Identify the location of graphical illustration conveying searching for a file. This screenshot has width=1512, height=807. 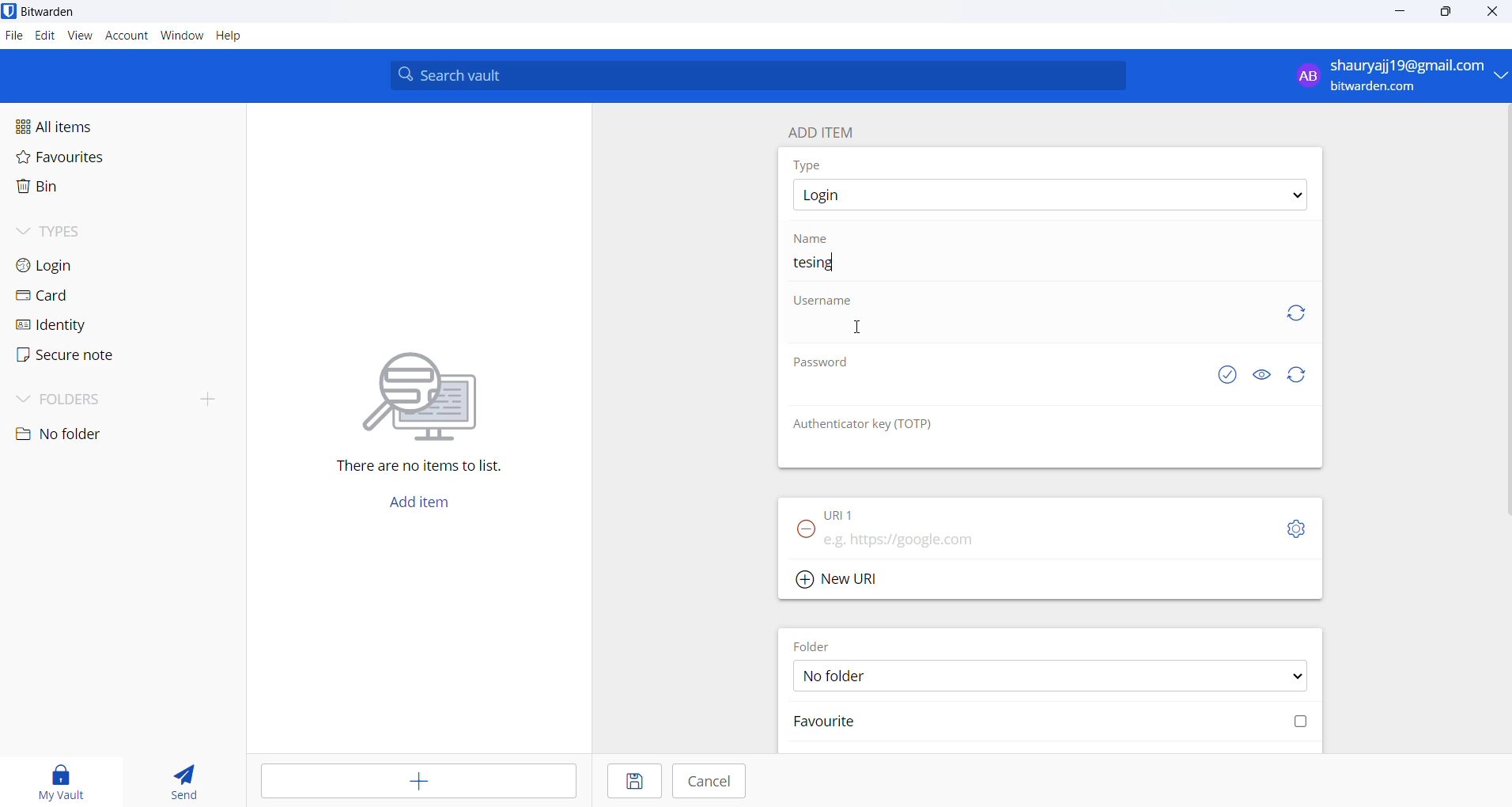
(435, 393).